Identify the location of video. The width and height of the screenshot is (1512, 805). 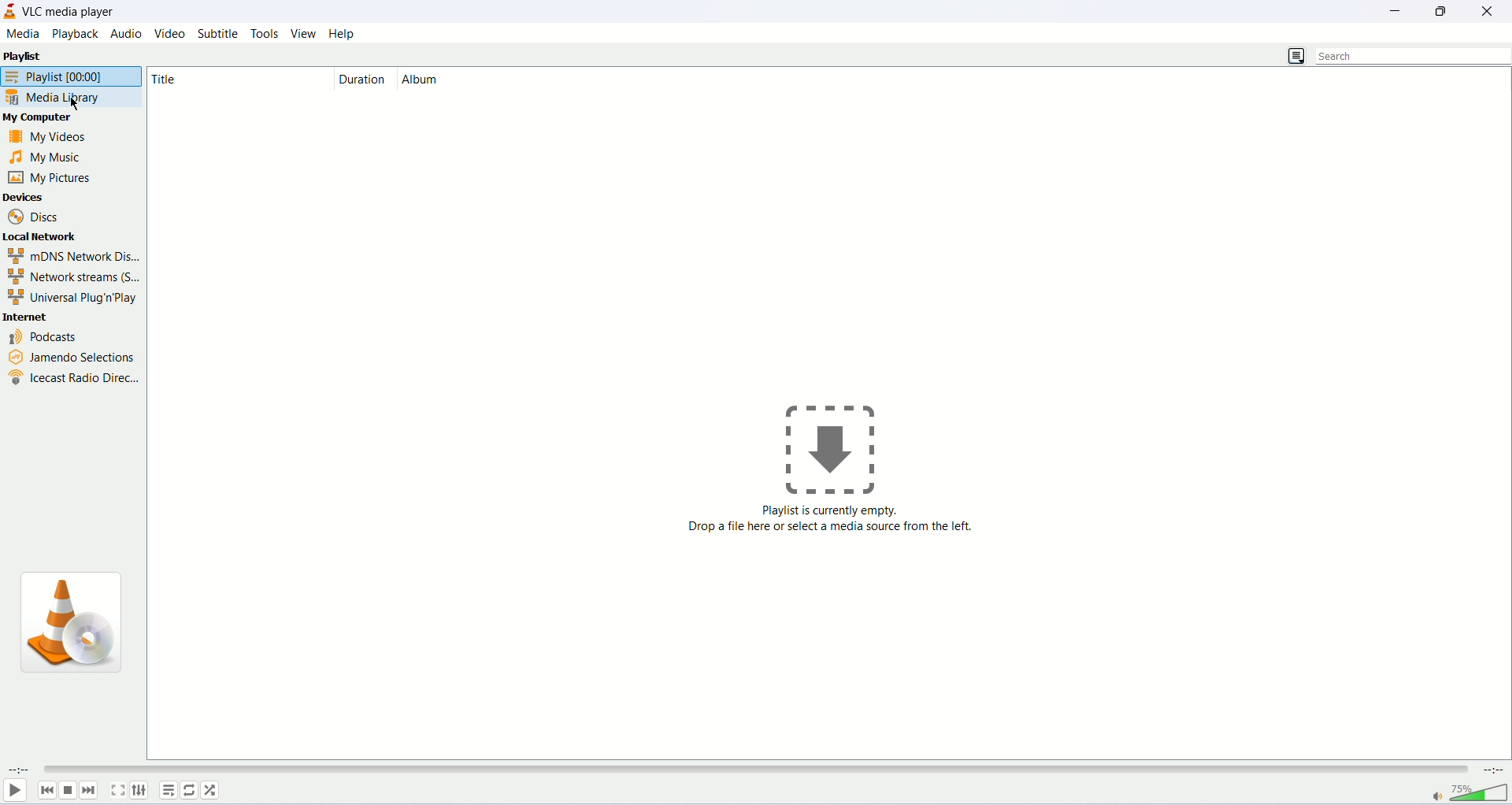
(172, 34).